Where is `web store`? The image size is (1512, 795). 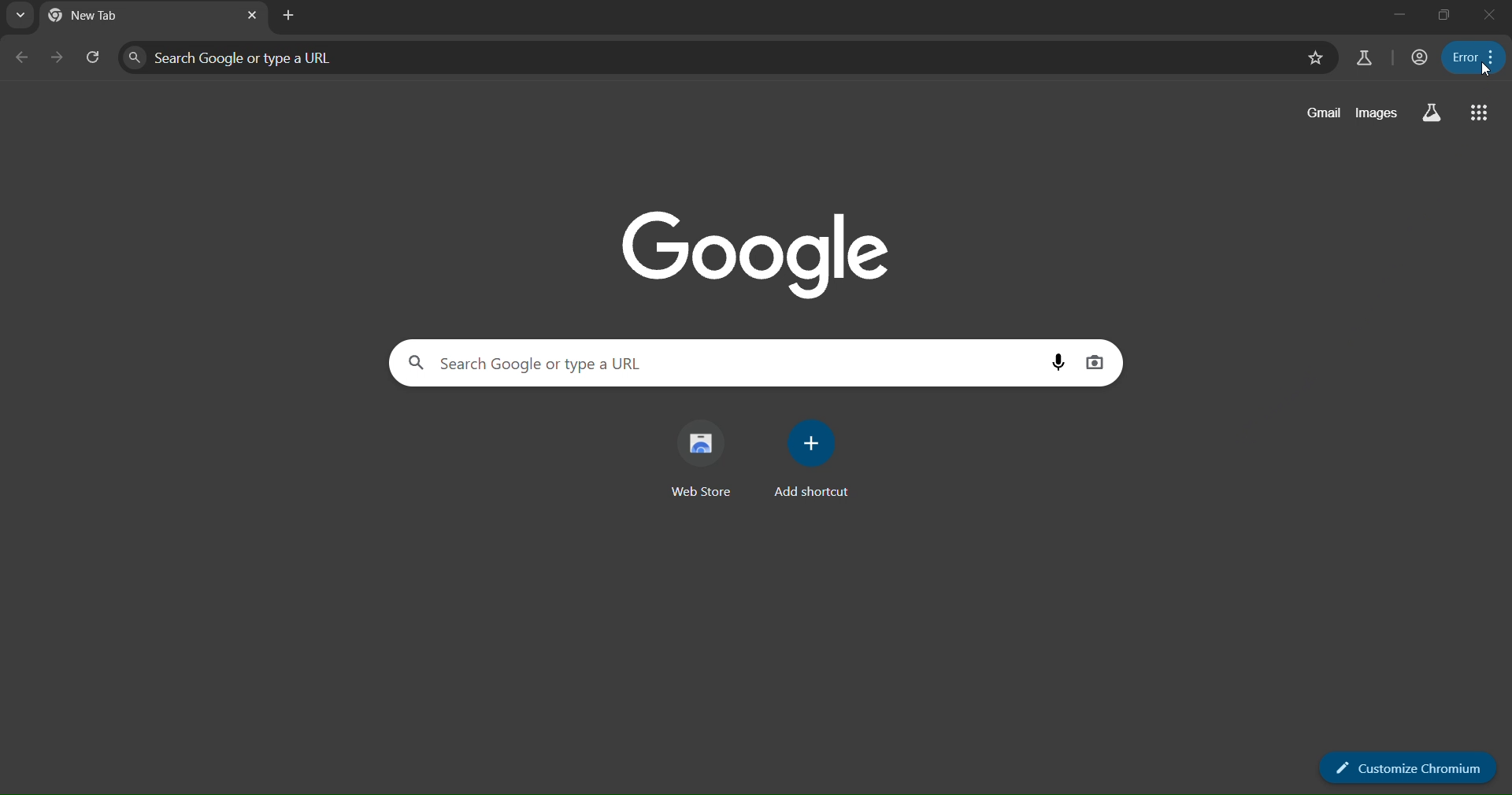
web store is located at coordinates (703, 457).